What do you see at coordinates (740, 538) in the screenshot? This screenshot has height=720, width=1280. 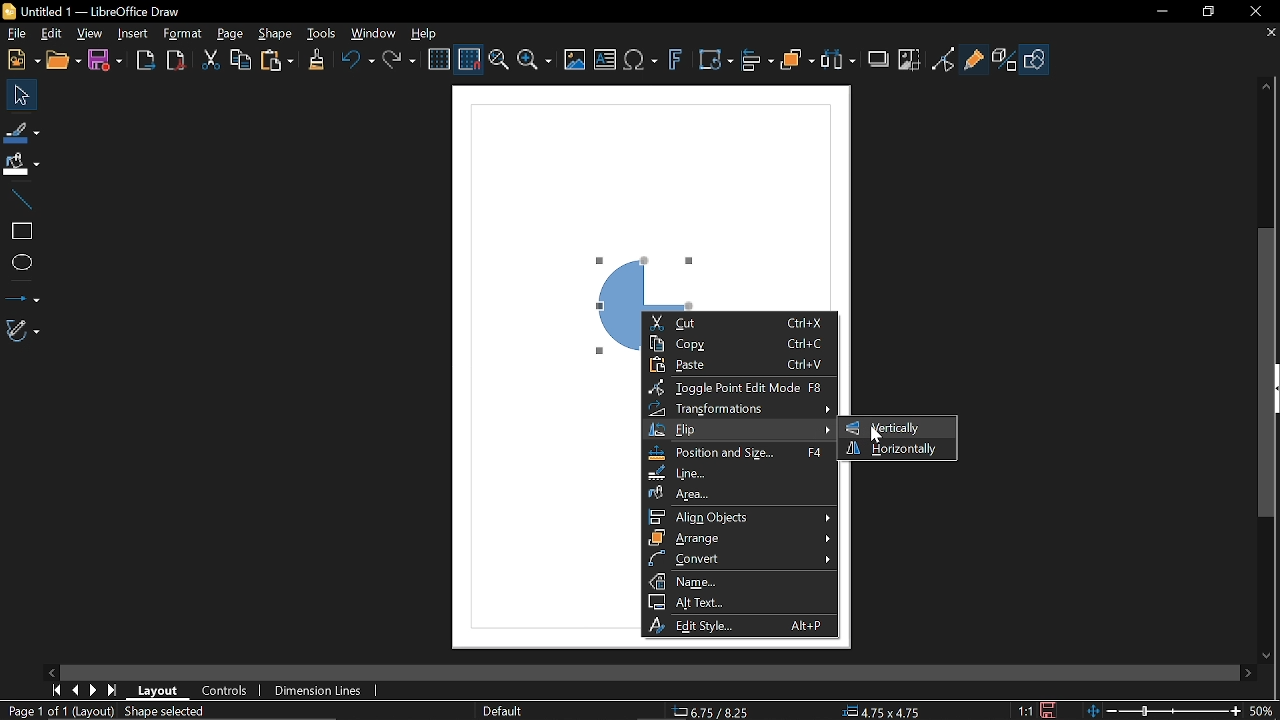 I see `Arrange` at bounding box center [740, 538].